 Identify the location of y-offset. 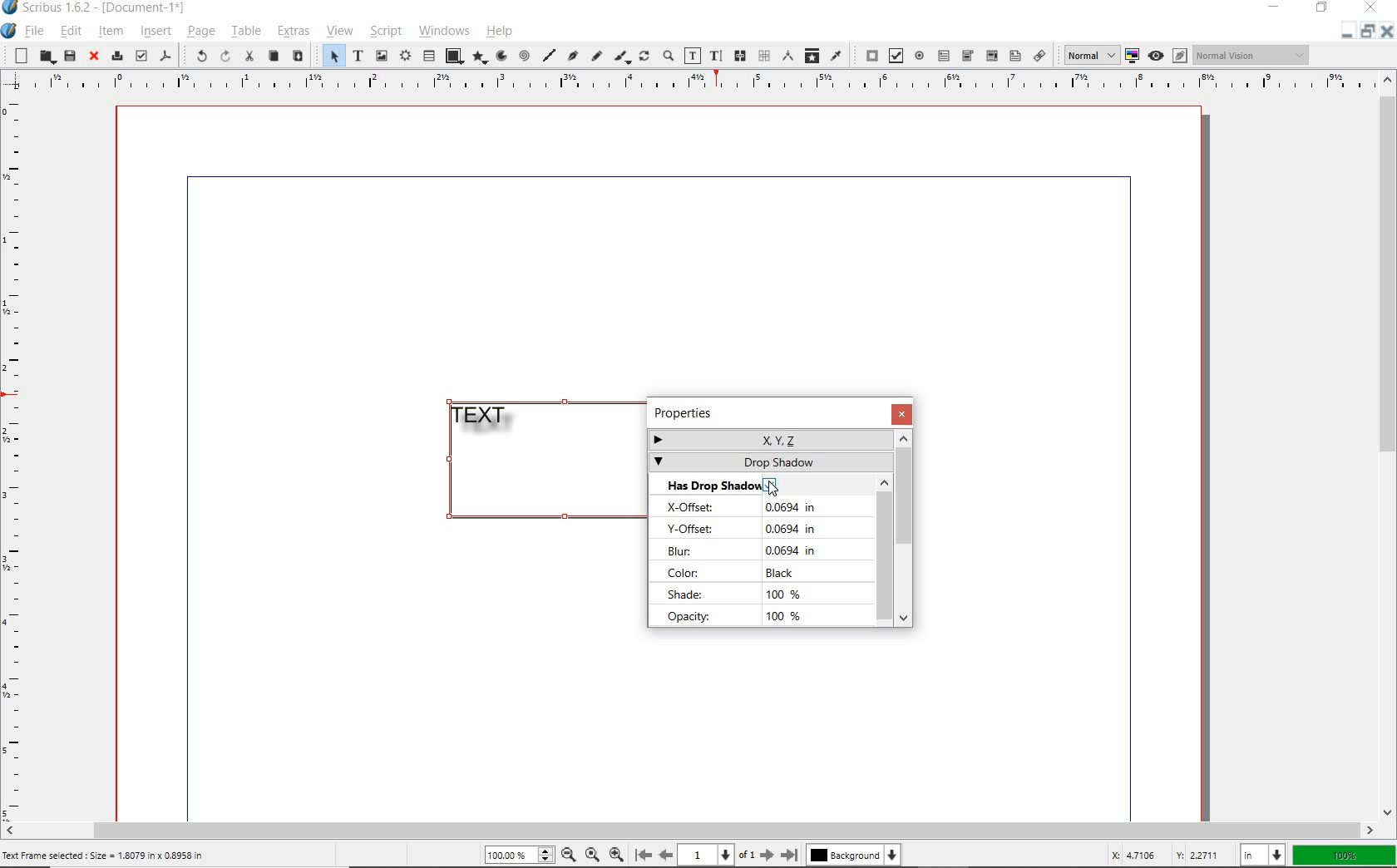
(748, 530).